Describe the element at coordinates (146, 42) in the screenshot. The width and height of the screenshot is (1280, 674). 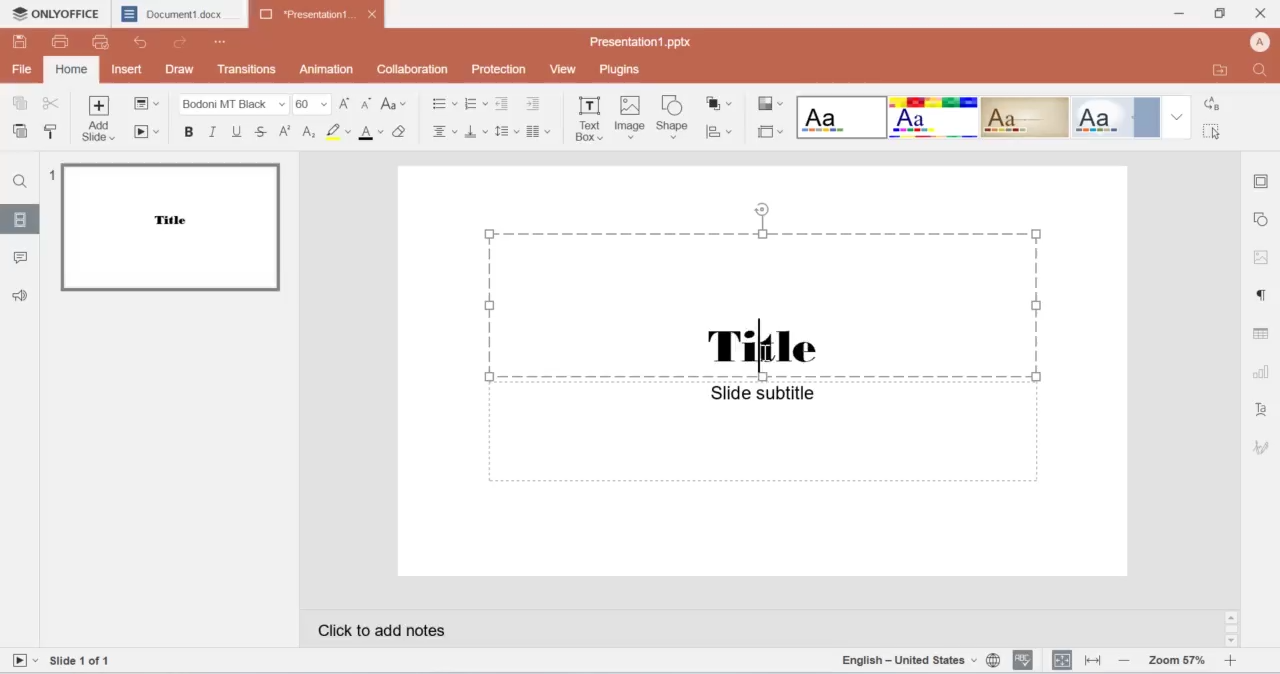
I see `Undo` at that location.